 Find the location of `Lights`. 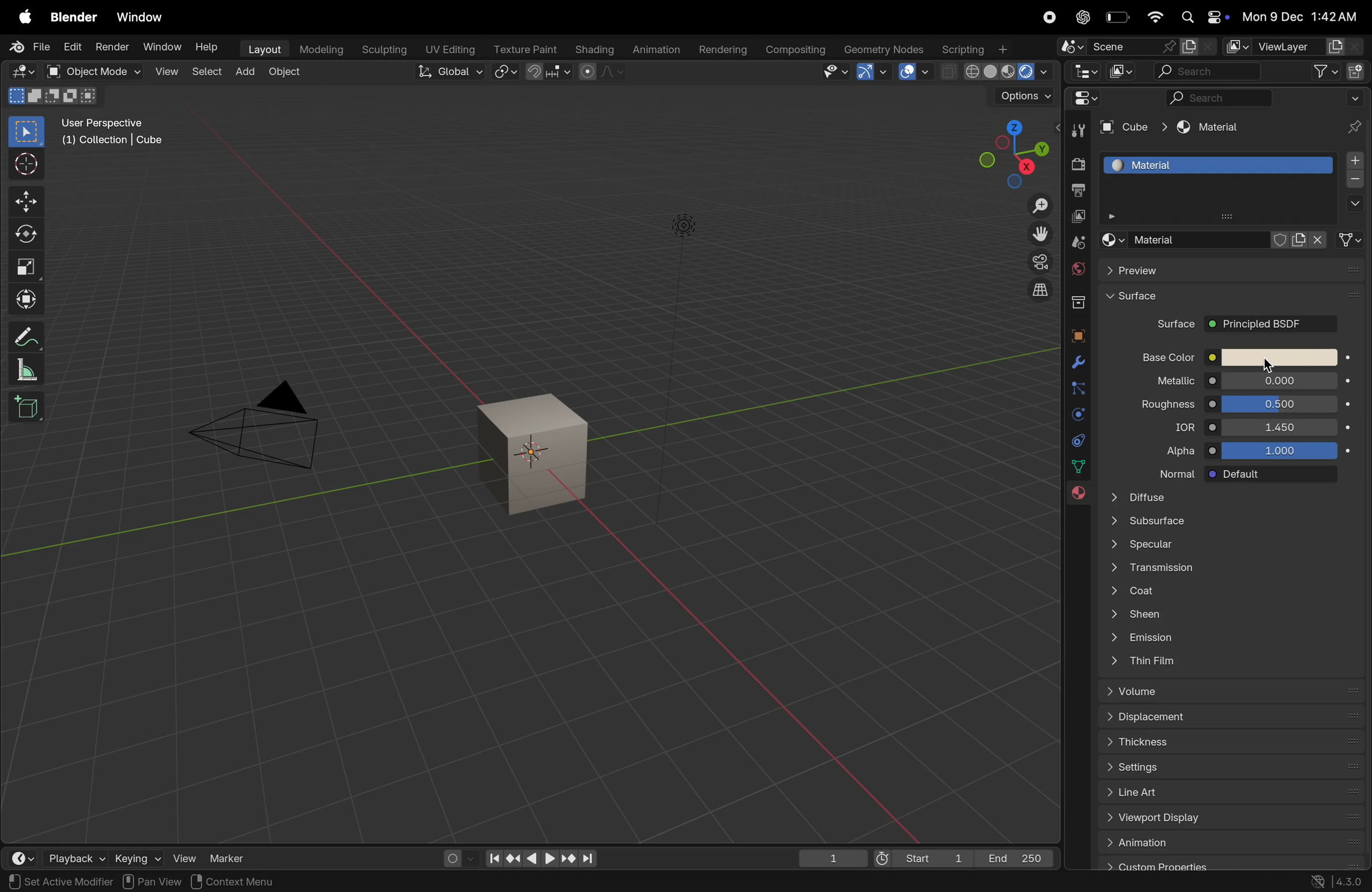

Lights is located at coordinates (685, 227).